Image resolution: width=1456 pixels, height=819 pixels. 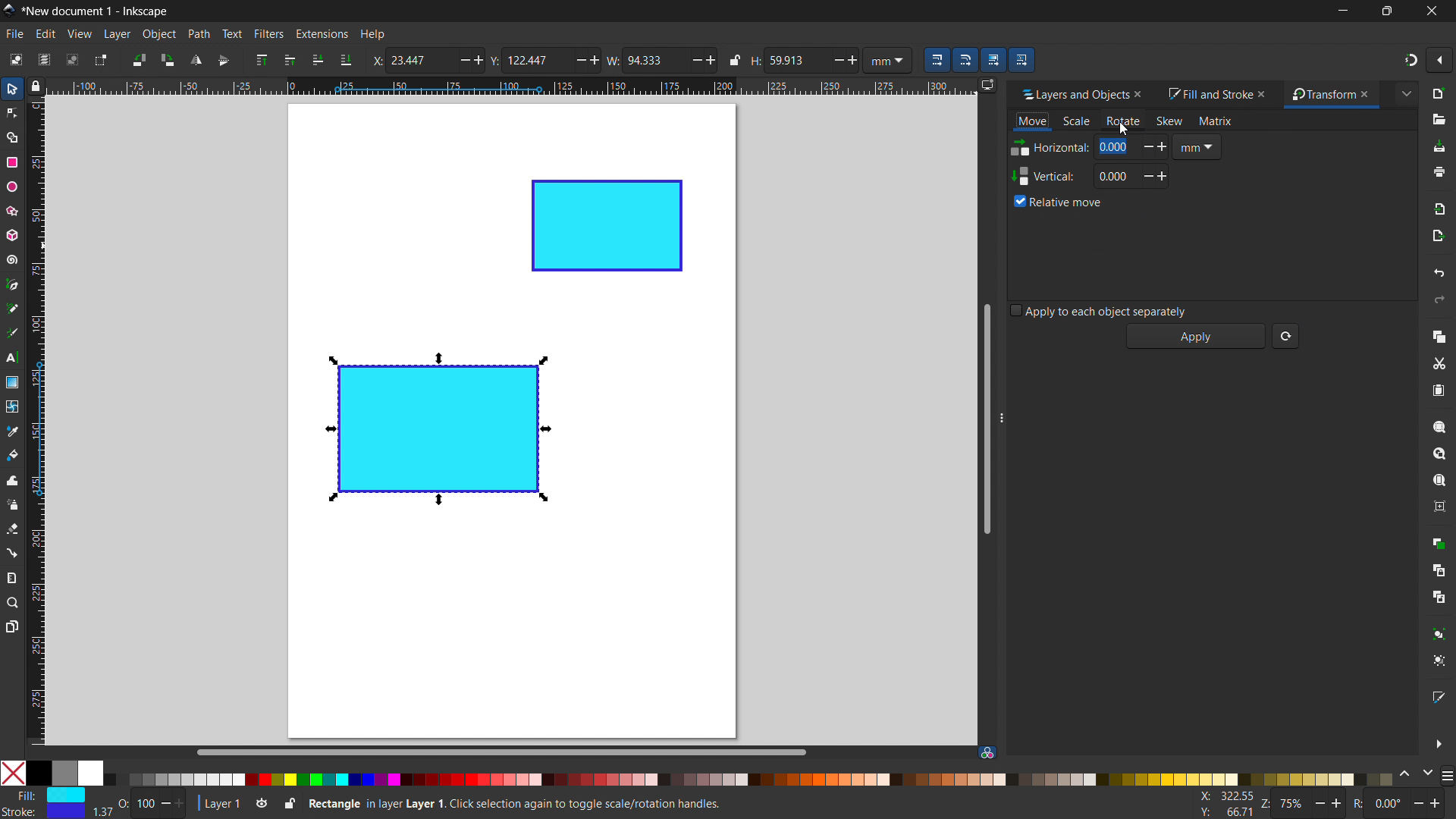 What do you see at coordinates (137, 59) in the screenshot?
I see `rotate 90 ccw` at bounding box center [137, 59].